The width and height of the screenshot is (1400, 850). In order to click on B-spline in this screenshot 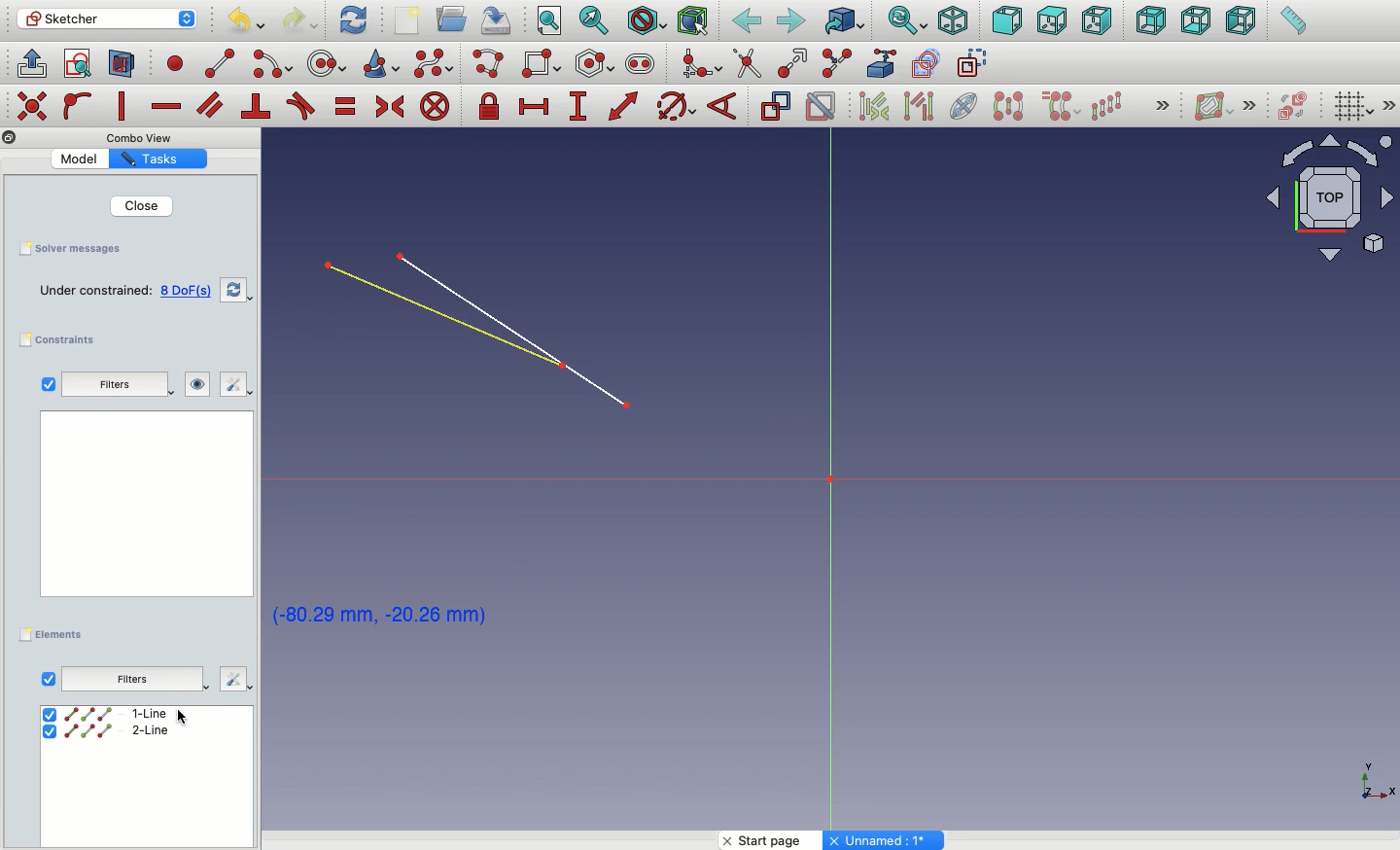, I will do `click(434, 64)`.